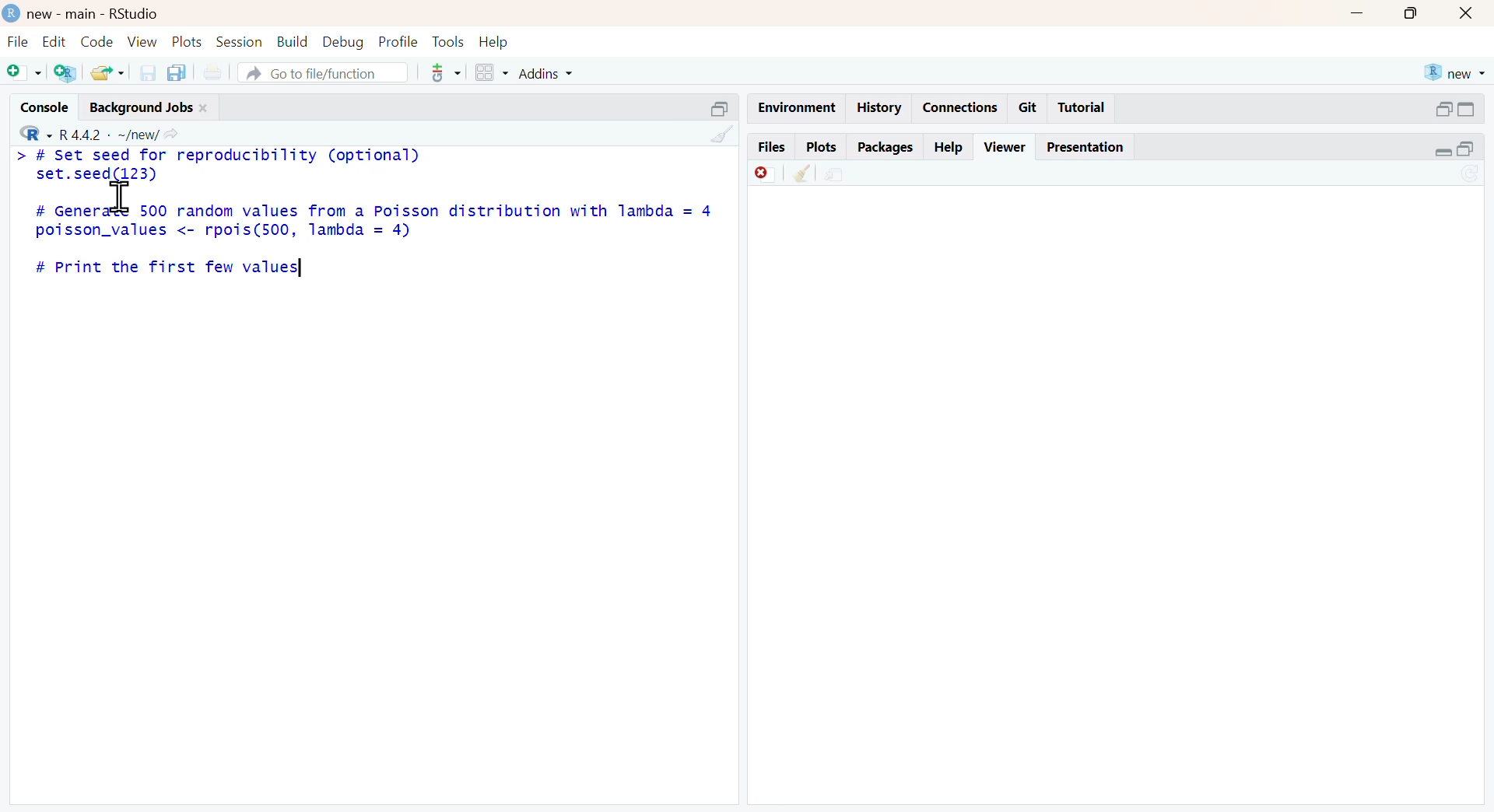 The height and width of the screenshot is (812, 1494). I want to click on # Generate 500 random values from a Poisson distribution with lambda = 4poisson_values <- rpois(500, lambda = 4), so click(373, 222).